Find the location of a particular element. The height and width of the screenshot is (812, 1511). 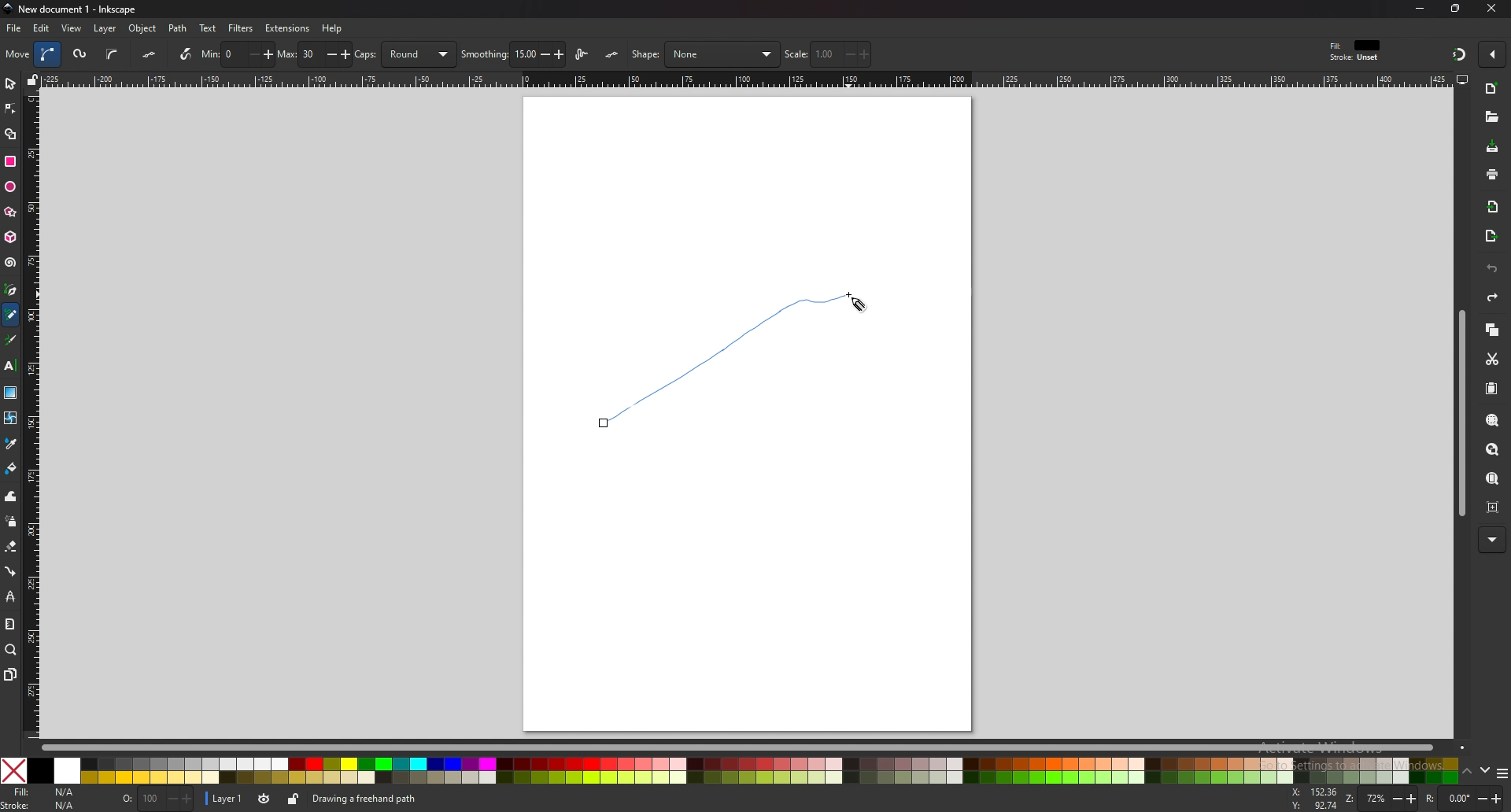

b spline path is located at coordinates (112, 54).